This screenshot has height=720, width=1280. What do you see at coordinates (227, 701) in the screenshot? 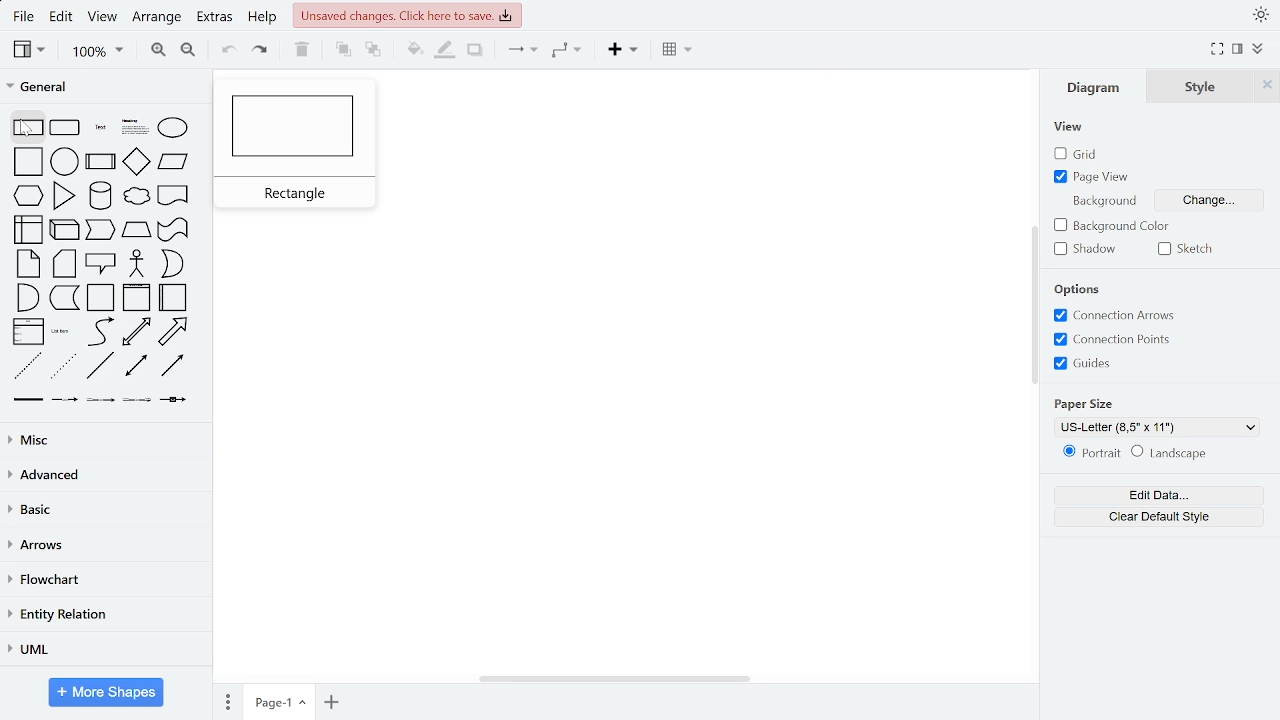
I see `pages` at bounding box center [227, 701].